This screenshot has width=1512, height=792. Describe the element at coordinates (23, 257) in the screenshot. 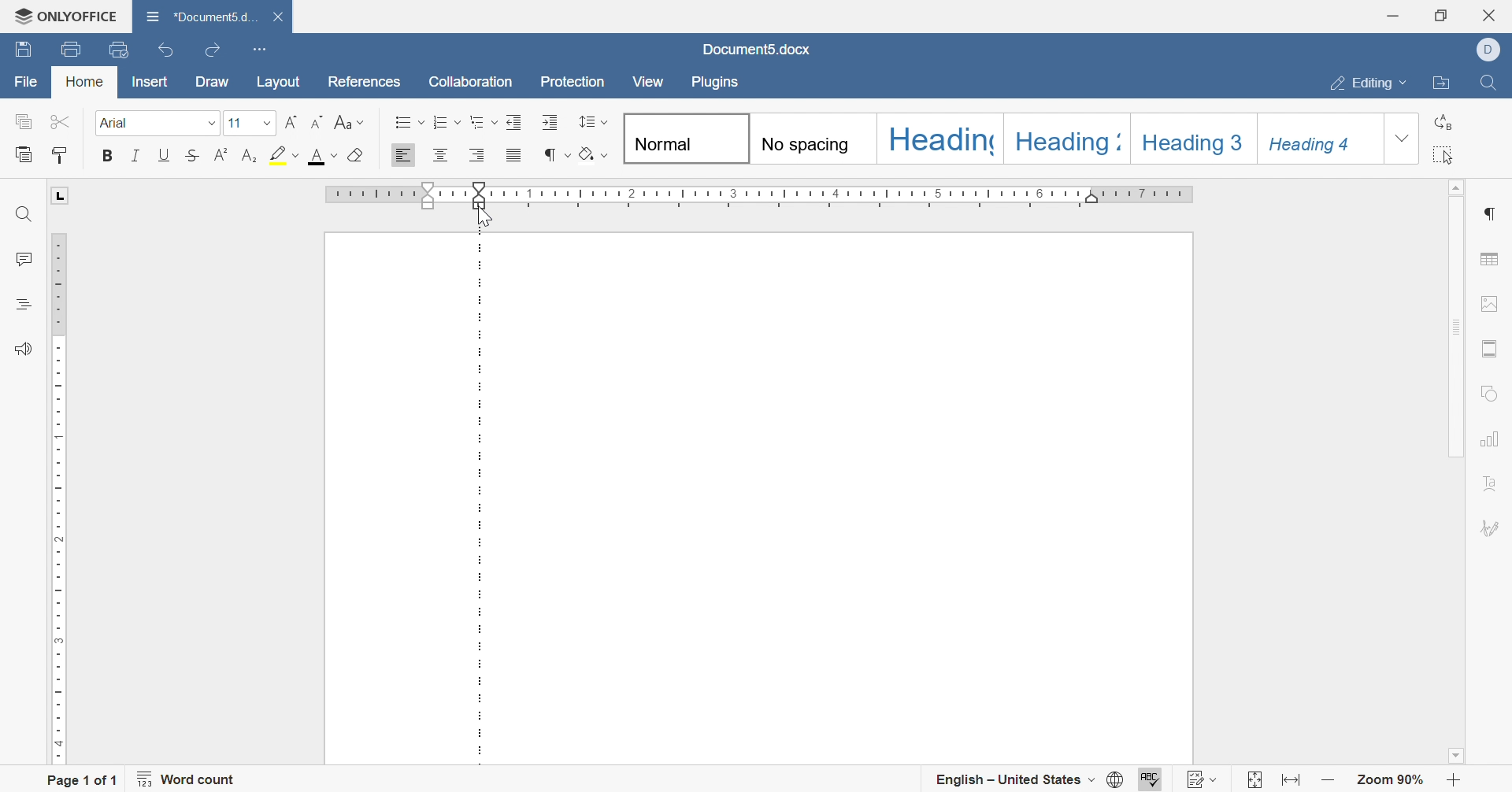

I see `comments` at that location.